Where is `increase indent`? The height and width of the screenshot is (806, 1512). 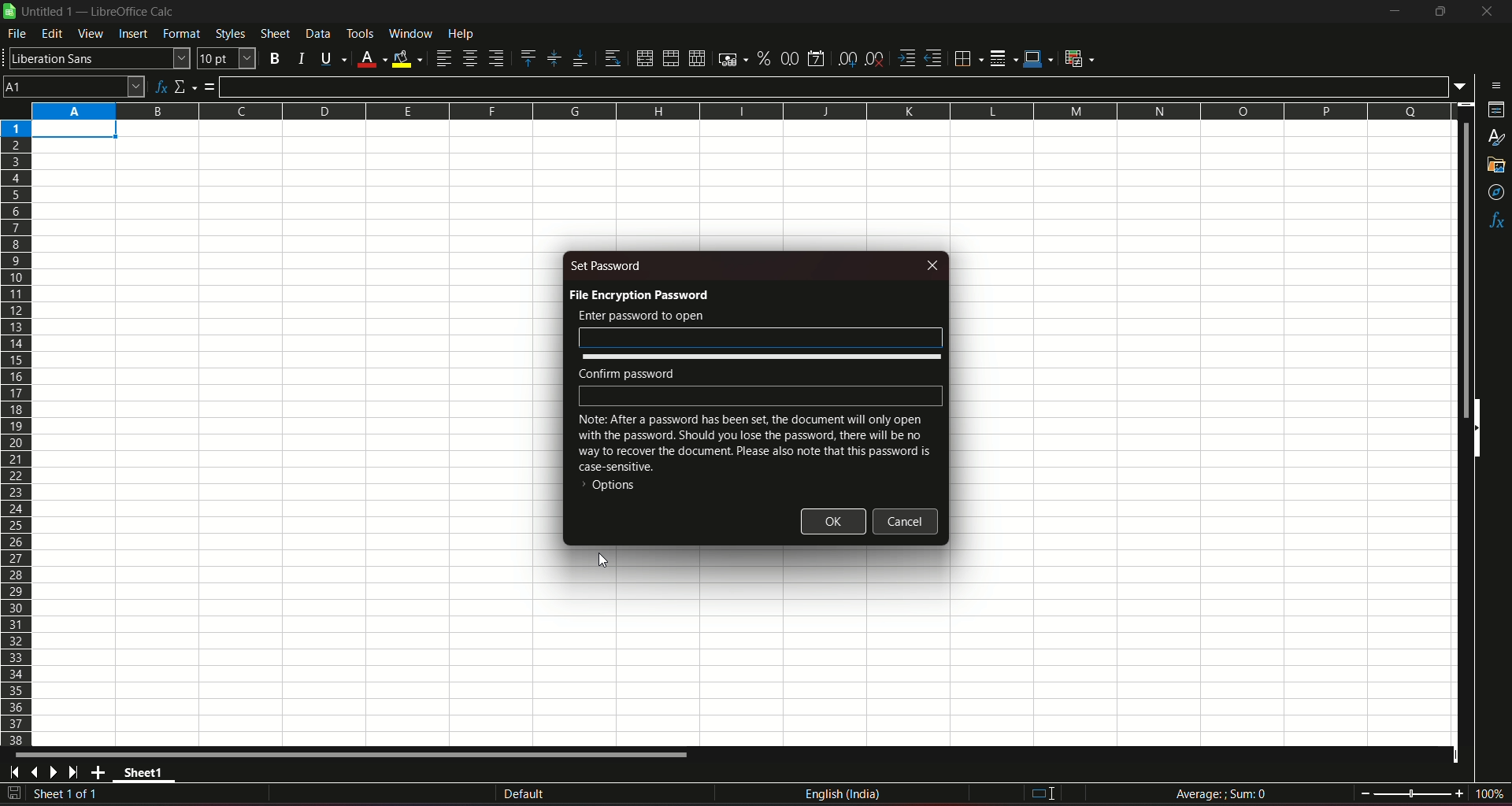 increase indent is located at coordinates (906, 57).